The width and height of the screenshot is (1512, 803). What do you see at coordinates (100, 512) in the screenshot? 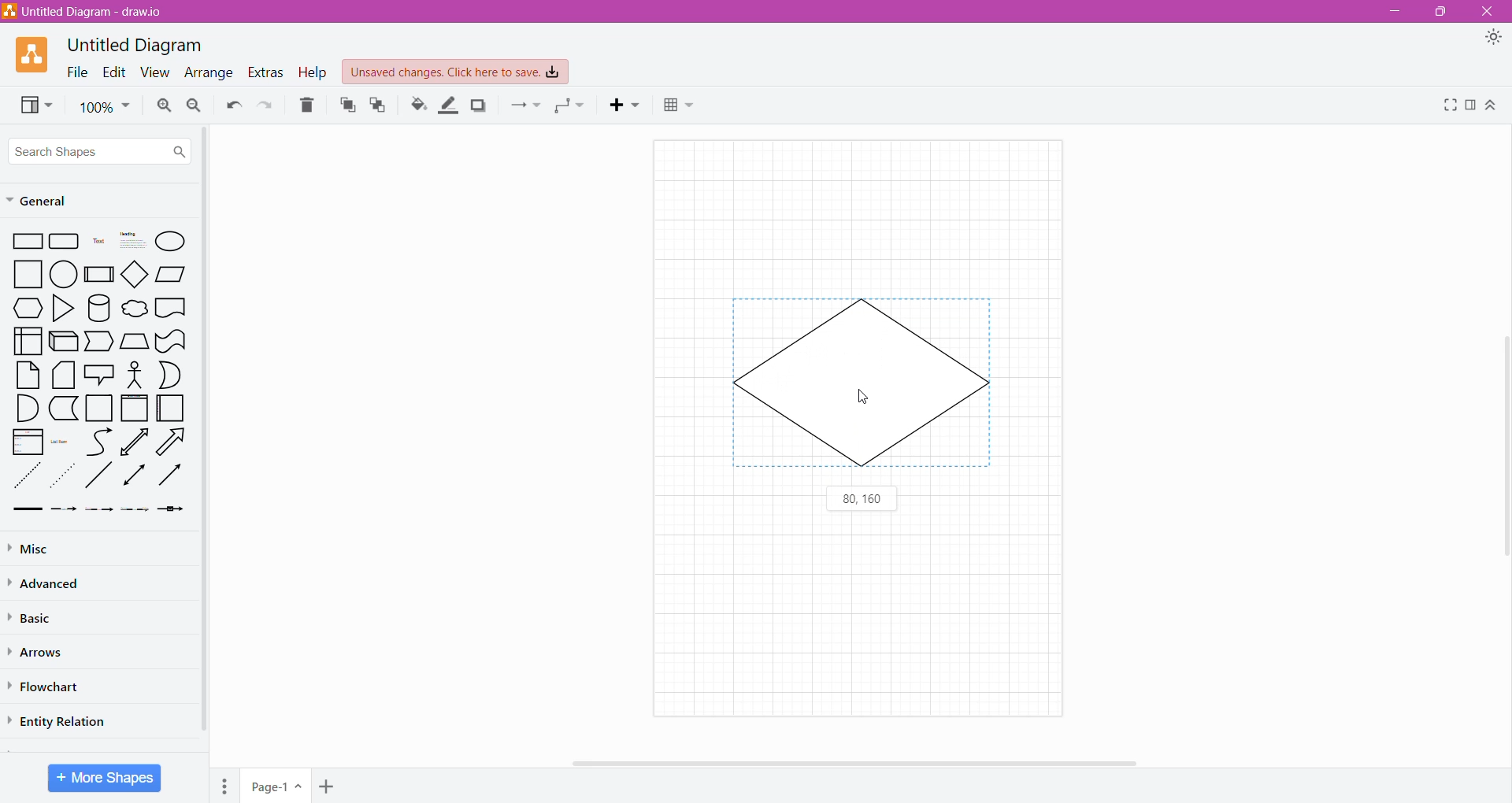
I see `Connector with 2 Labels` at bounding box center [100, 512].